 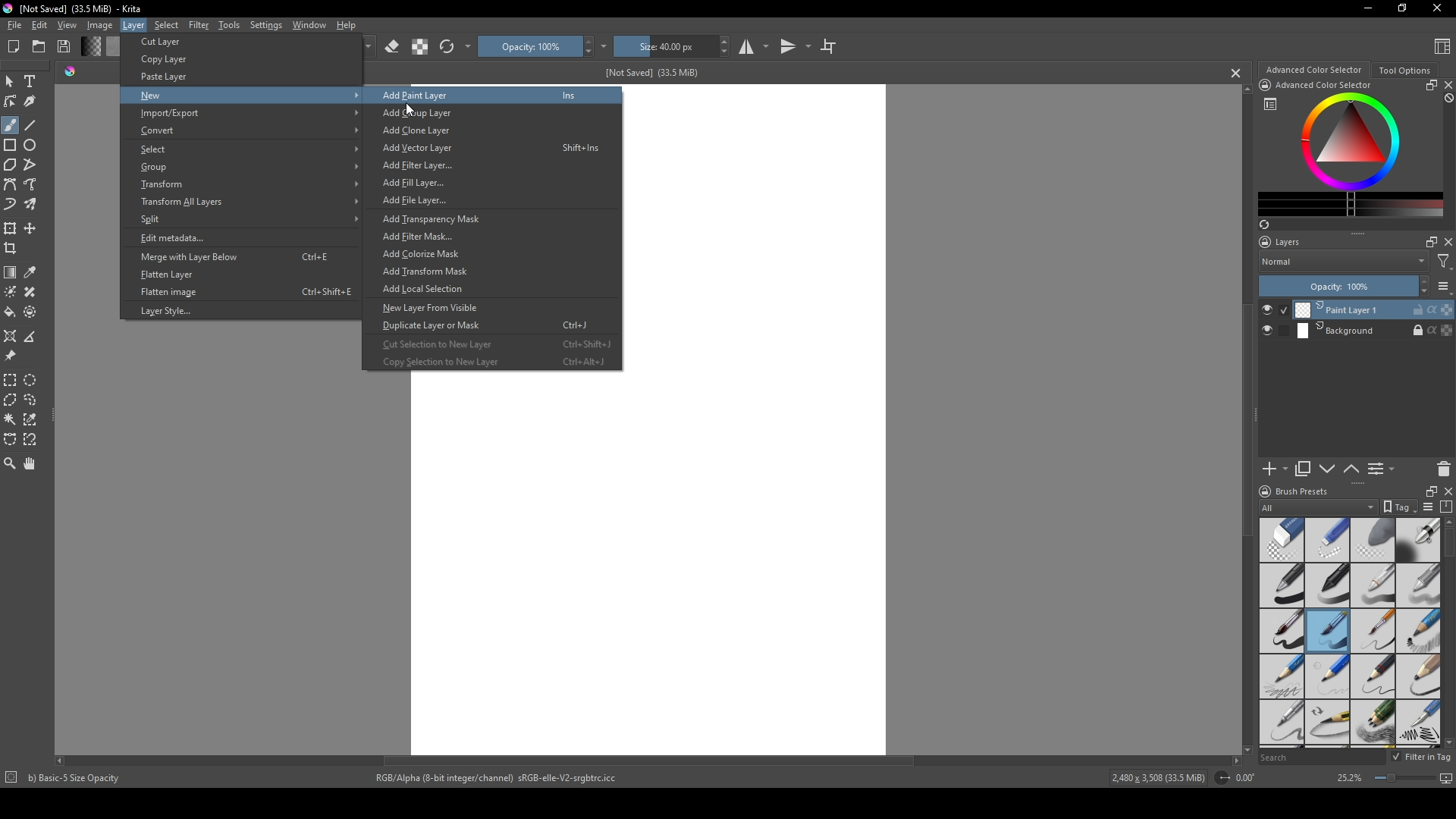 What do you see at coordinates (1352, 142) in the screenshot?
I see `colors display` at bounding box center [1352, 142].